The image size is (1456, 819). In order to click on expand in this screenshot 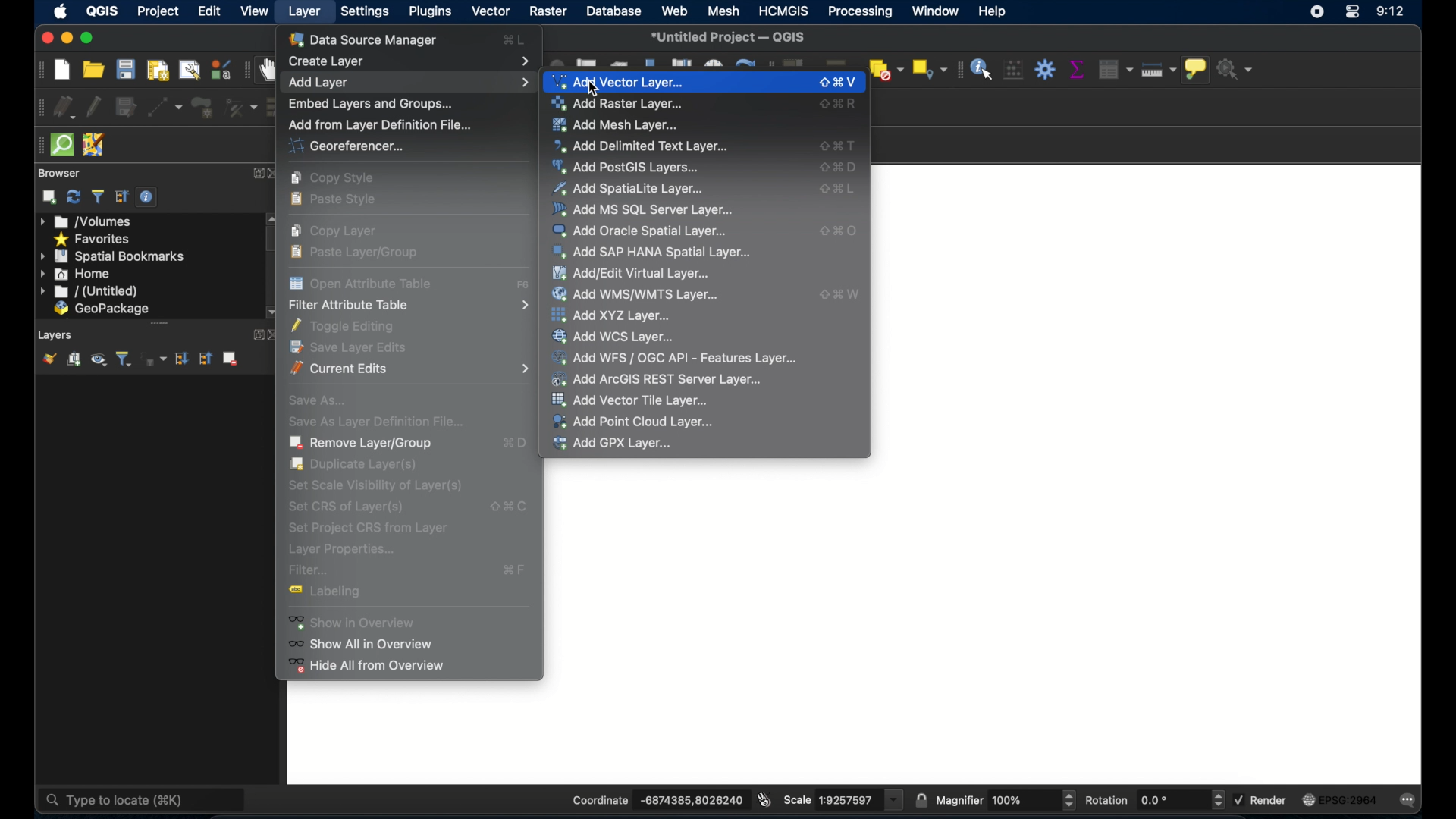, I will do `click(256, 173)`.